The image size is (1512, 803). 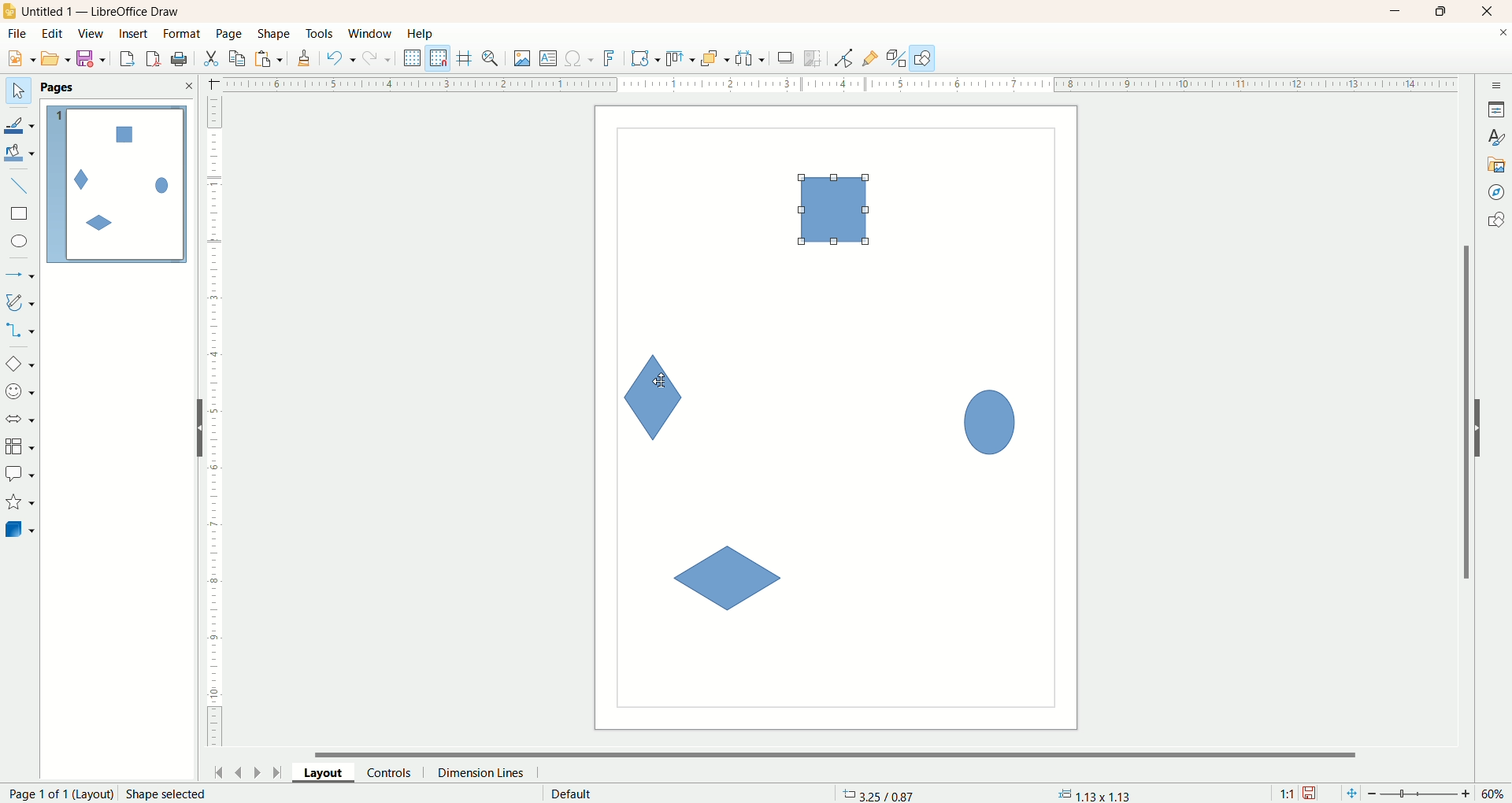 I want to click on zoom percent, so click(x=1495, y=794).